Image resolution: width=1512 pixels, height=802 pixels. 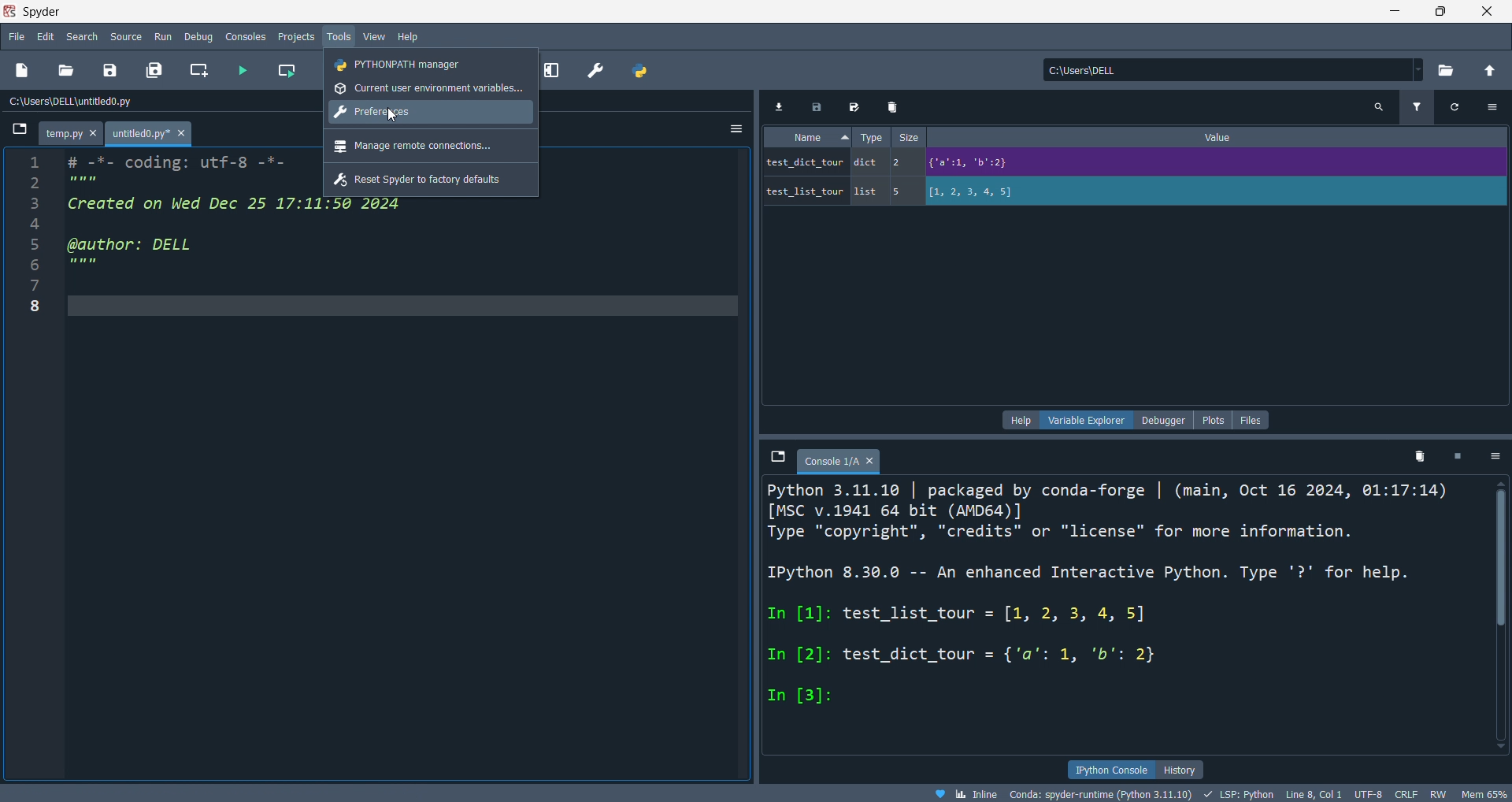 What do you see at coordinates (1026, 139) in the screenshot?
I see `Name « Type Size Value` at bounding box center [1026, 139].